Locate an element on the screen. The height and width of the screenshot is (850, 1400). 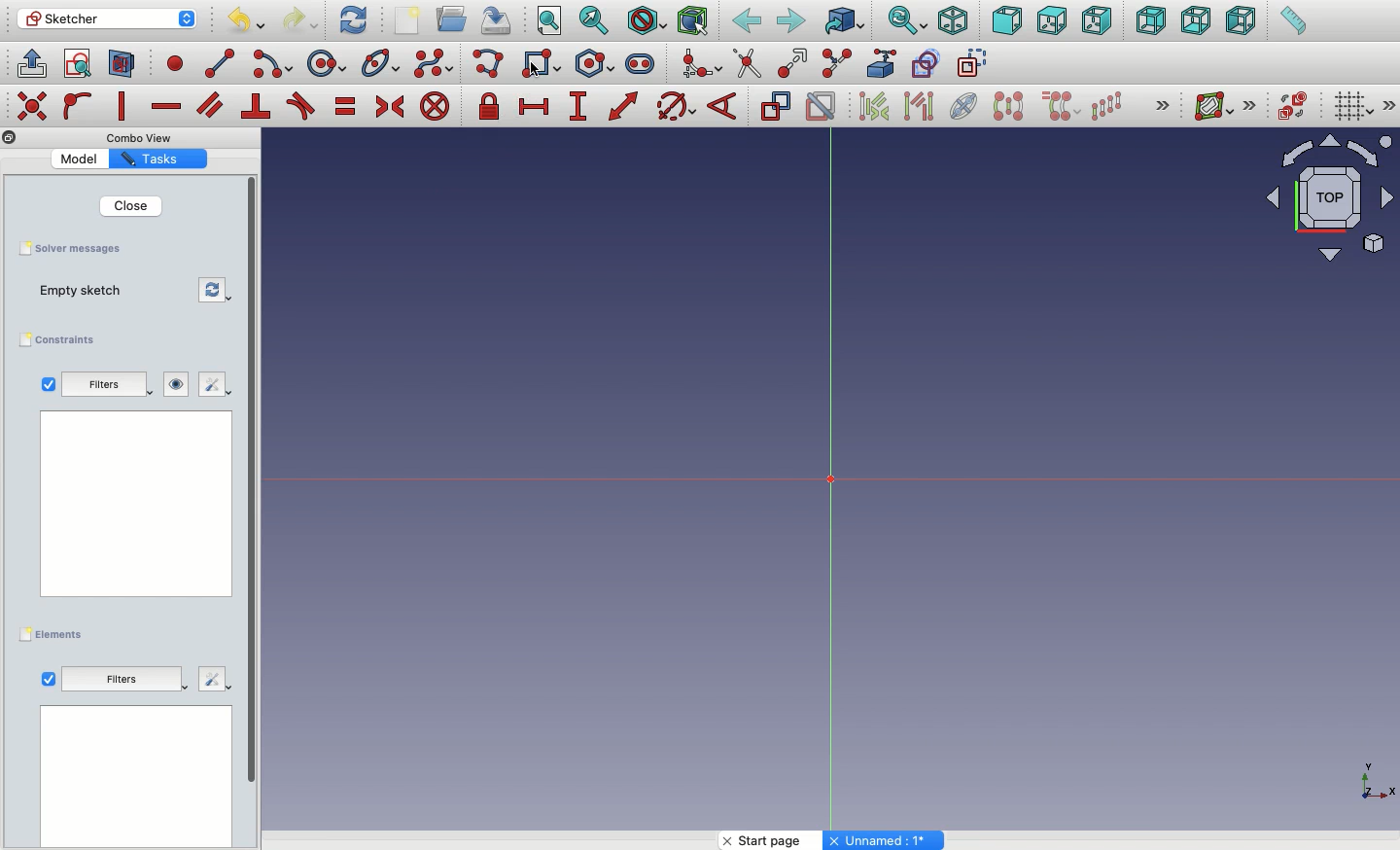
Clone is located at coordinates (1059, 107).